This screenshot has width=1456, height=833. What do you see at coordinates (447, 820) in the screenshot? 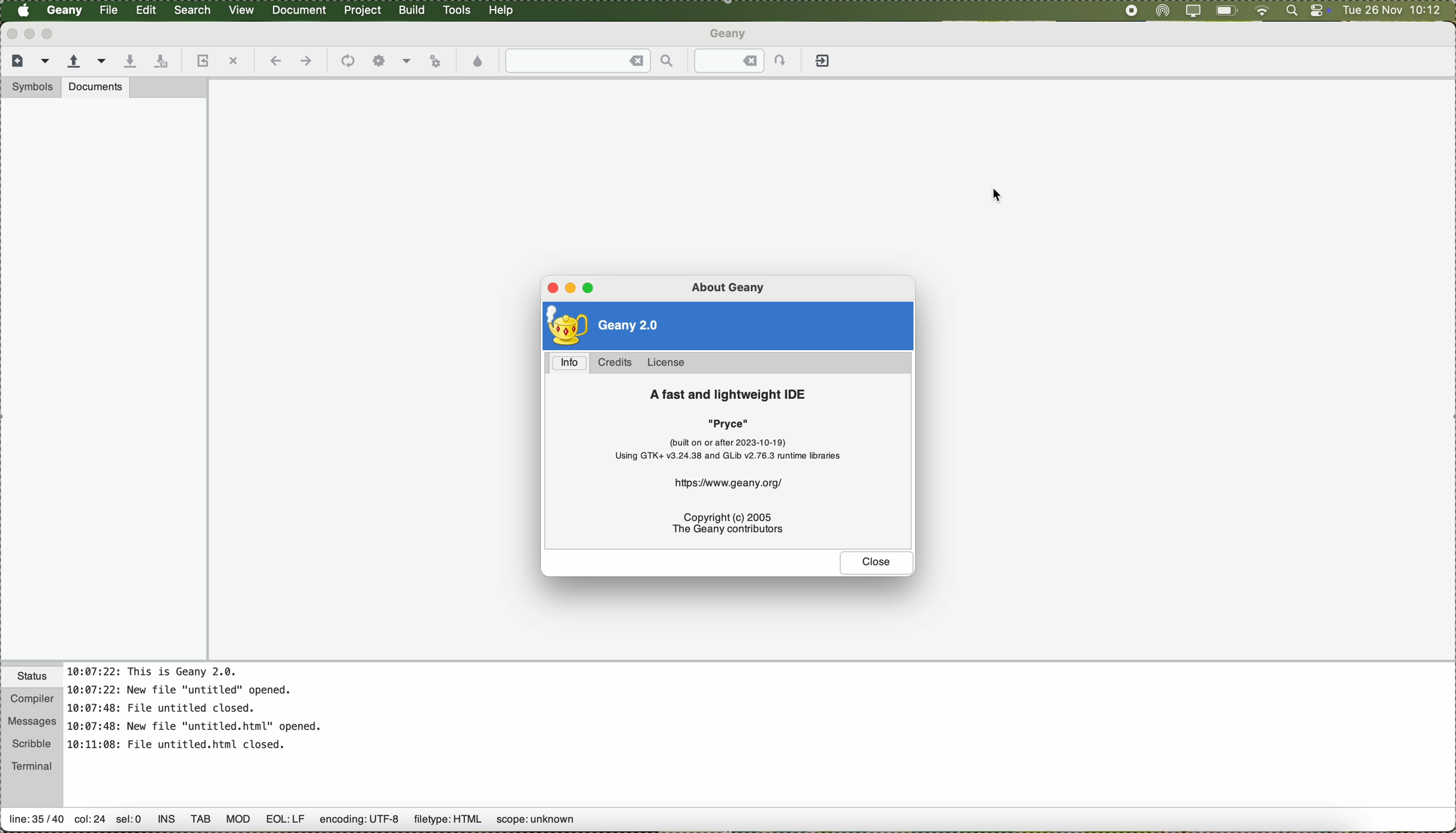
I see `filetype: HTML` at bounding box center [447, 820].